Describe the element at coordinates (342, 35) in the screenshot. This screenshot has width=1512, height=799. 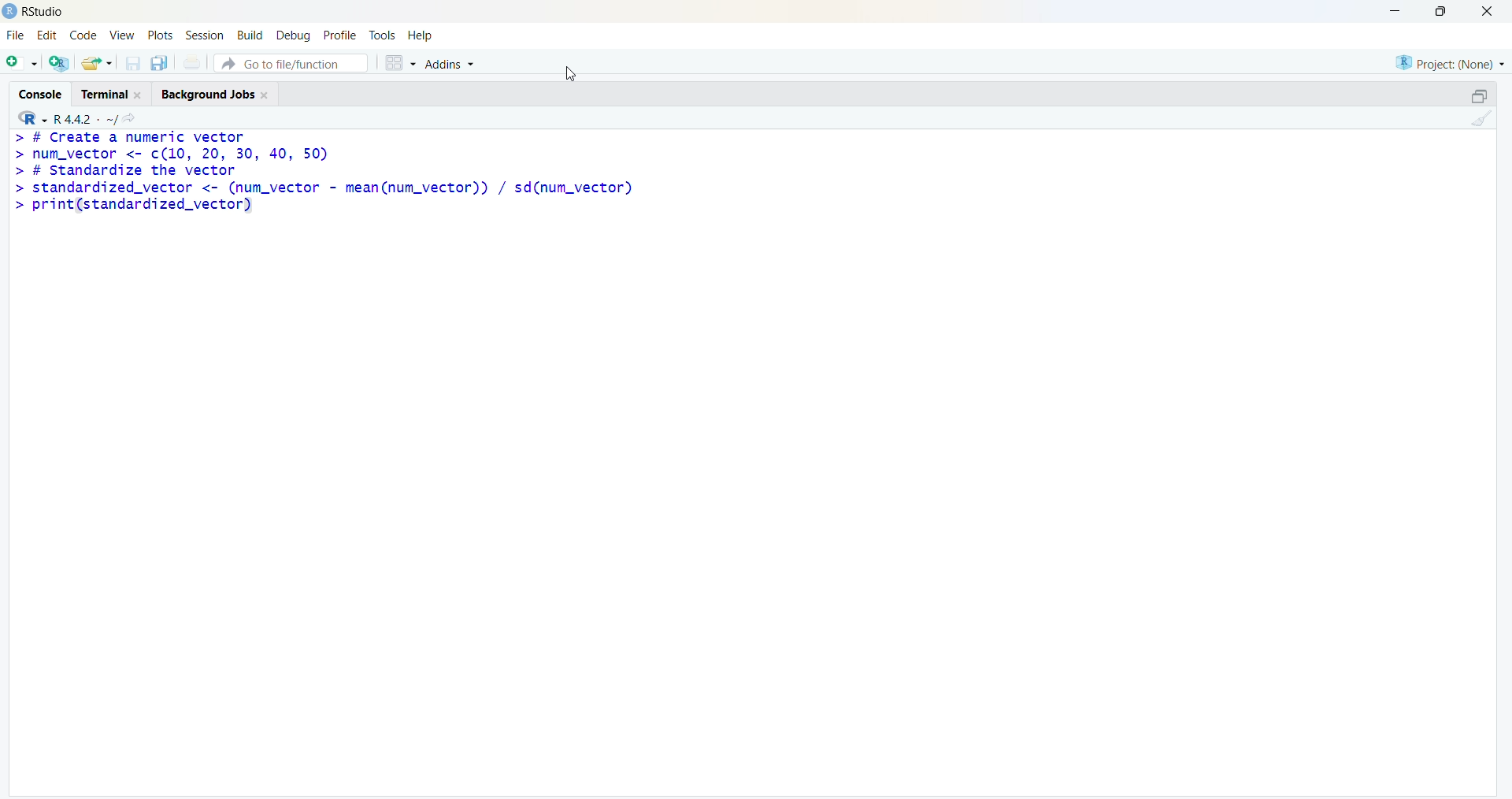
I see `profile` at that location.